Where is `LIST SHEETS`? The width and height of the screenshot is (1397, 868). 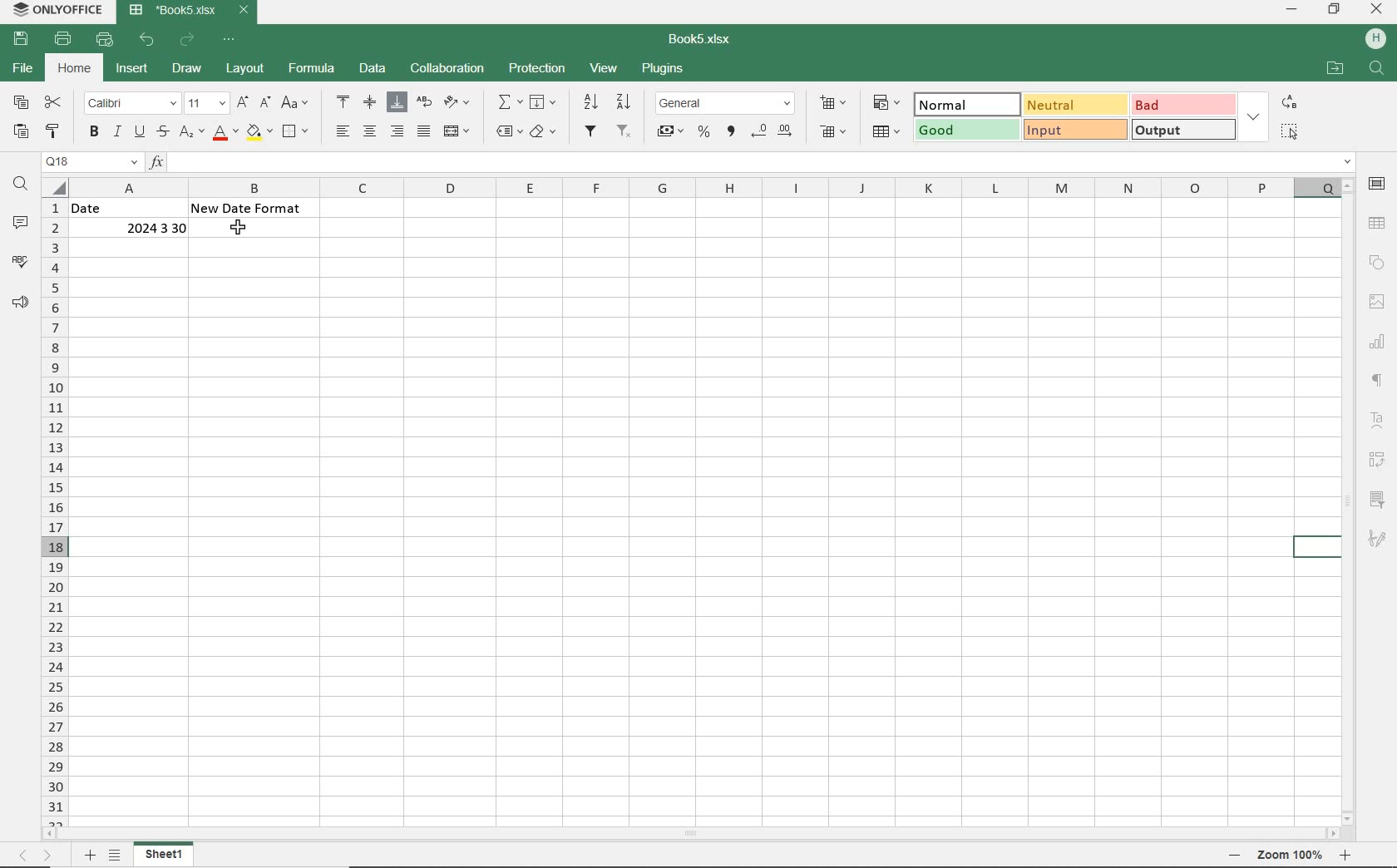
LIST SHEETS is located at coordinates (116, 856).